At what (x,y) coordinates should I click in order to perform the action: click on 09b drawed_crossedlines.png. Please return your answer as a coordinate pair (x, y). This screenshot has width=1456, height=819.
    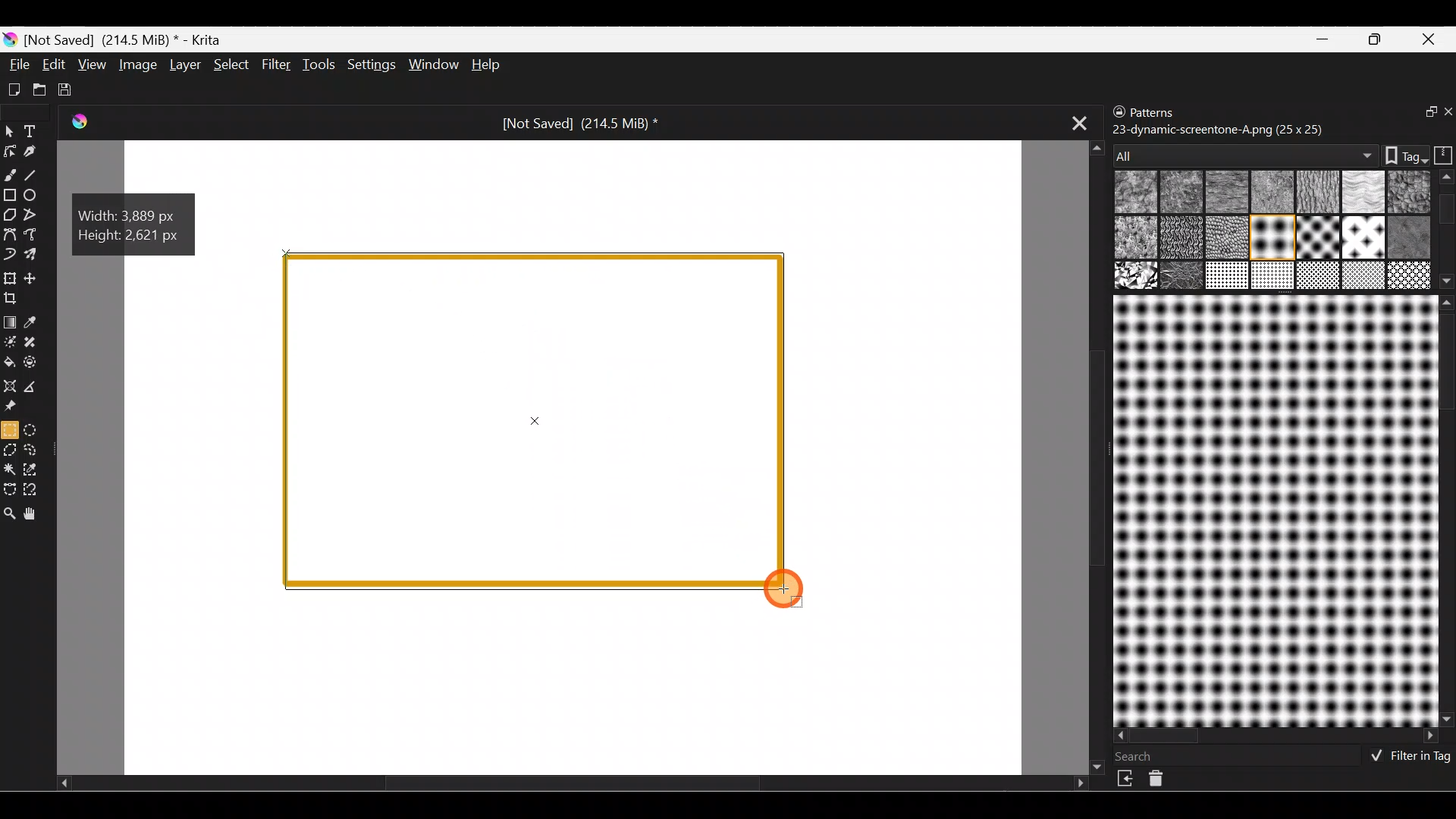
    Looking at the image, I should click on (1225, 237).